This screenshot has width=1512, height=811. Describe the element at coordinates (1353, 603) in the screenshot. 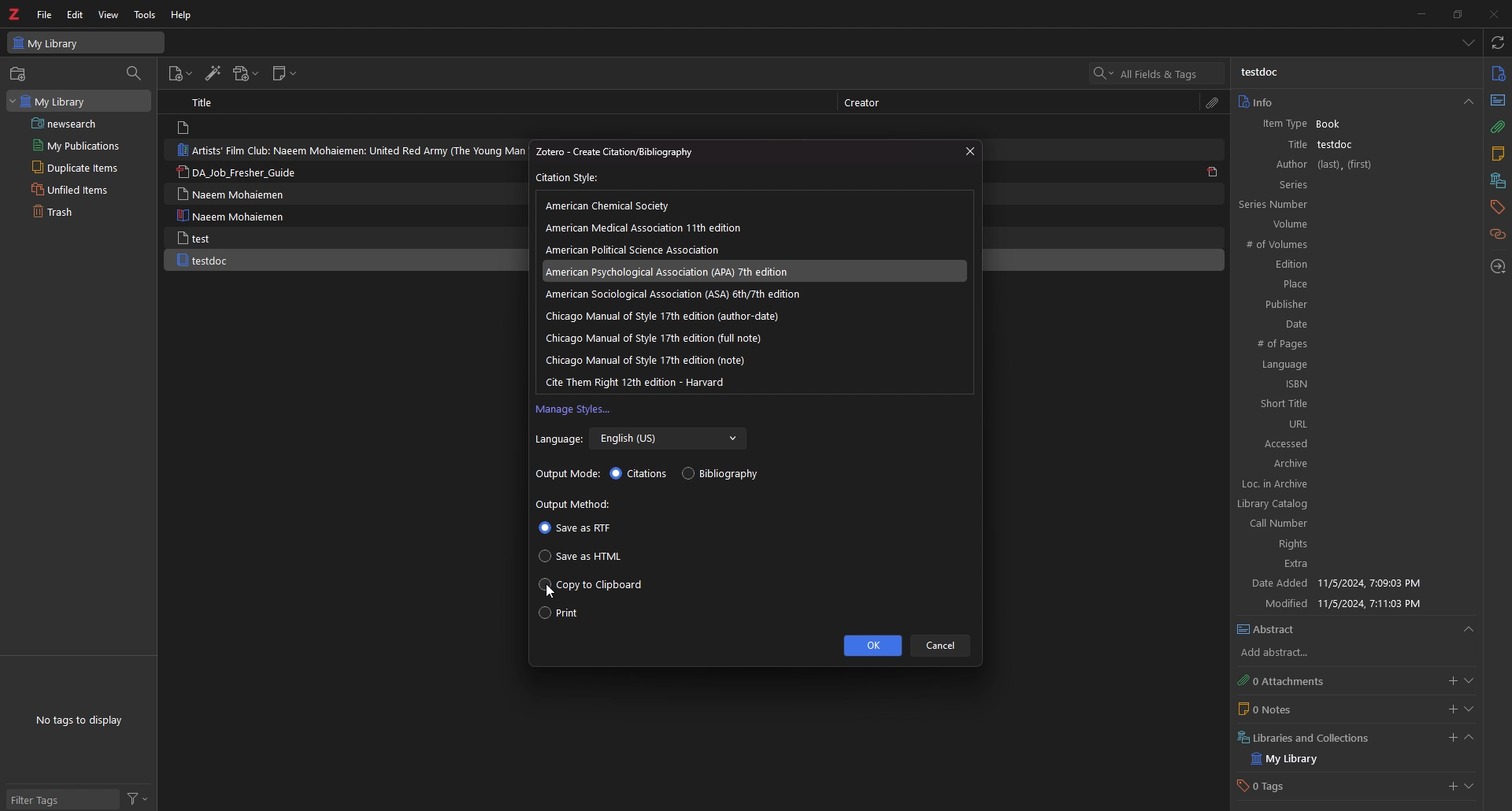

I see `Modified 11/5/2024, 7:11:03 PM` at that location.